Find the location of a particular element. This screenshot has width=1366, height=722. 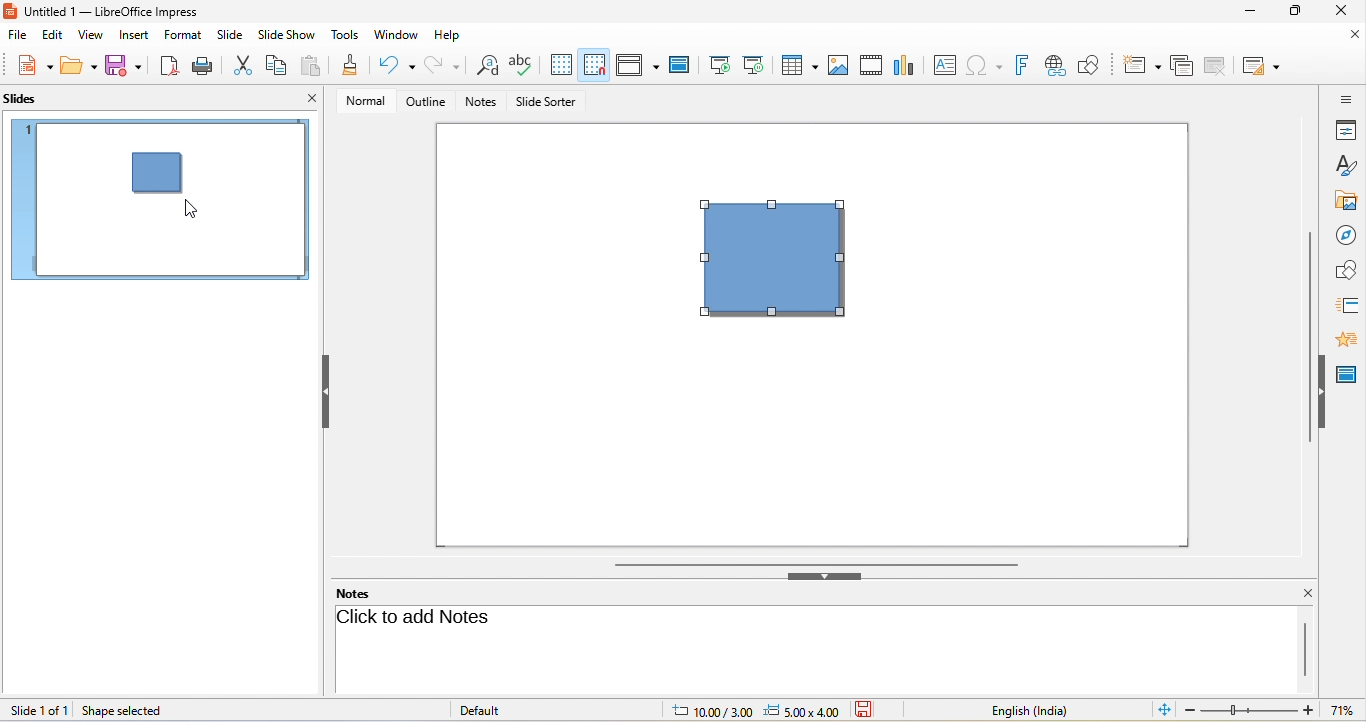

master slide is located at coordinates (677, 63).